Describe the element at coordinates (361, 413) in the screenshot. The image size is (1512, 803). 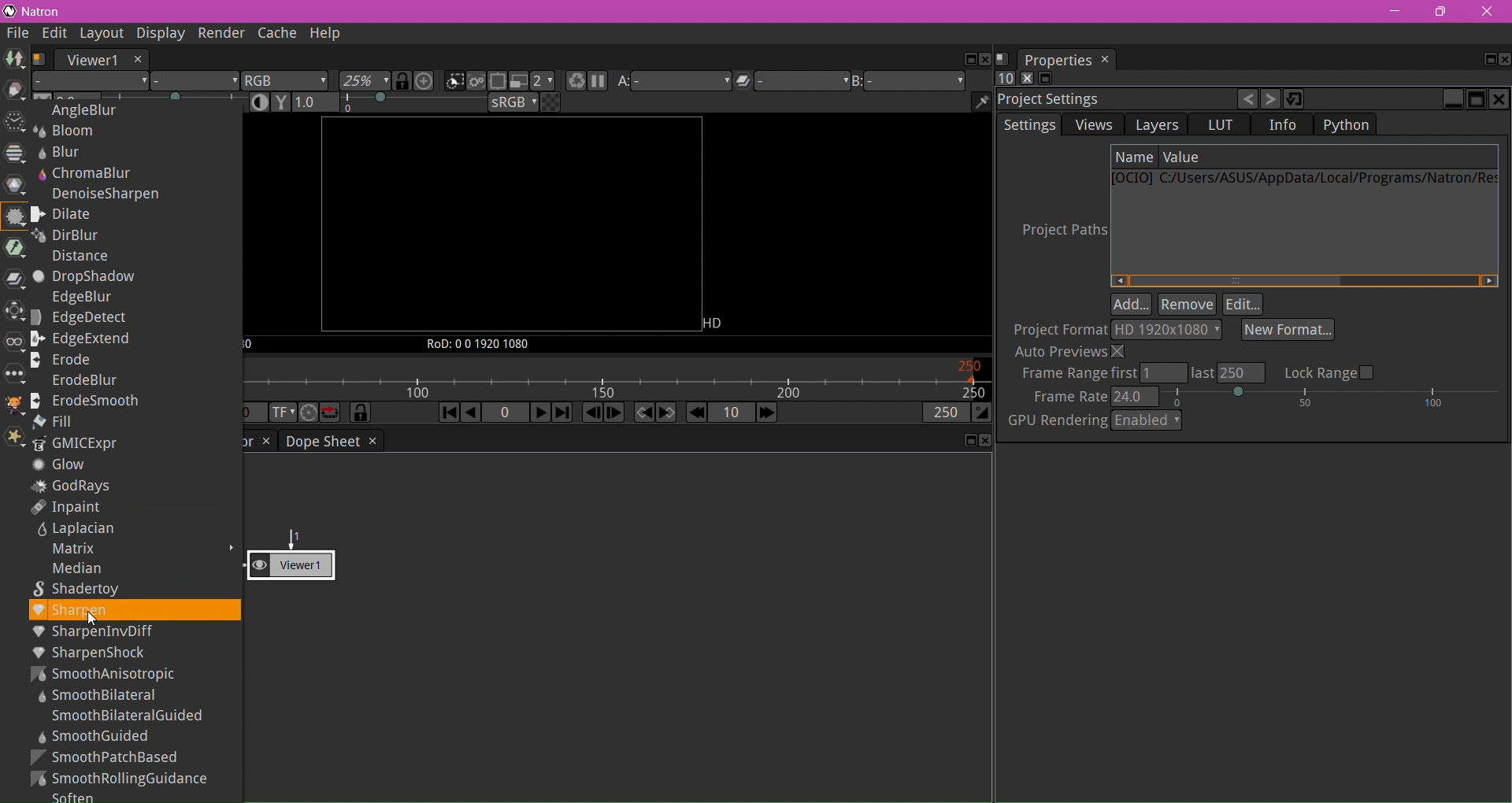
I see `When activated, the timeline frame-range is synchronized with the Dope Sheet and the Curve Editor` at that location.